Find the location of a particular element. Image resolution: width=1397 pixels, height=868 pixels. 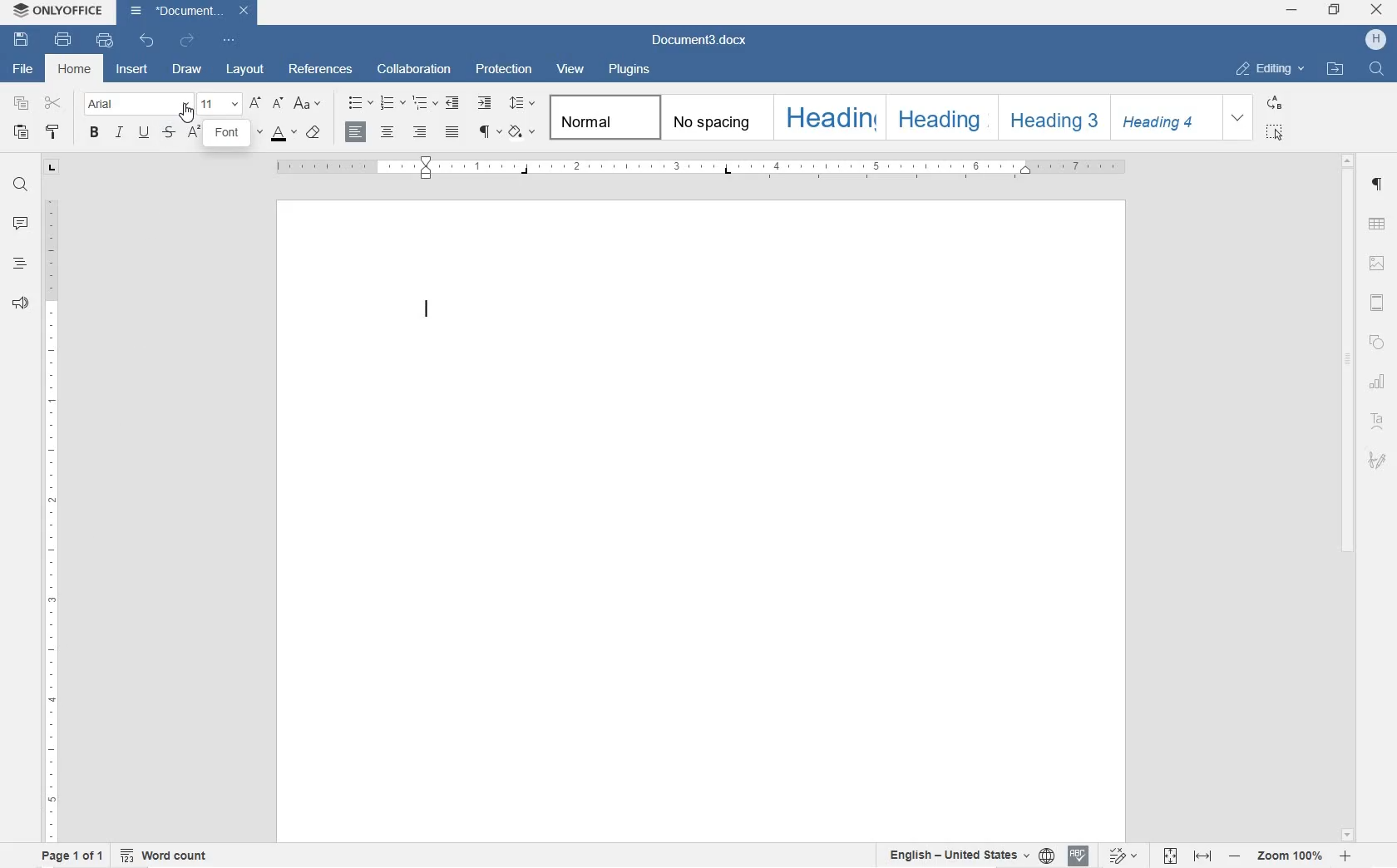

UNDO is located at coordinates (146, 42).